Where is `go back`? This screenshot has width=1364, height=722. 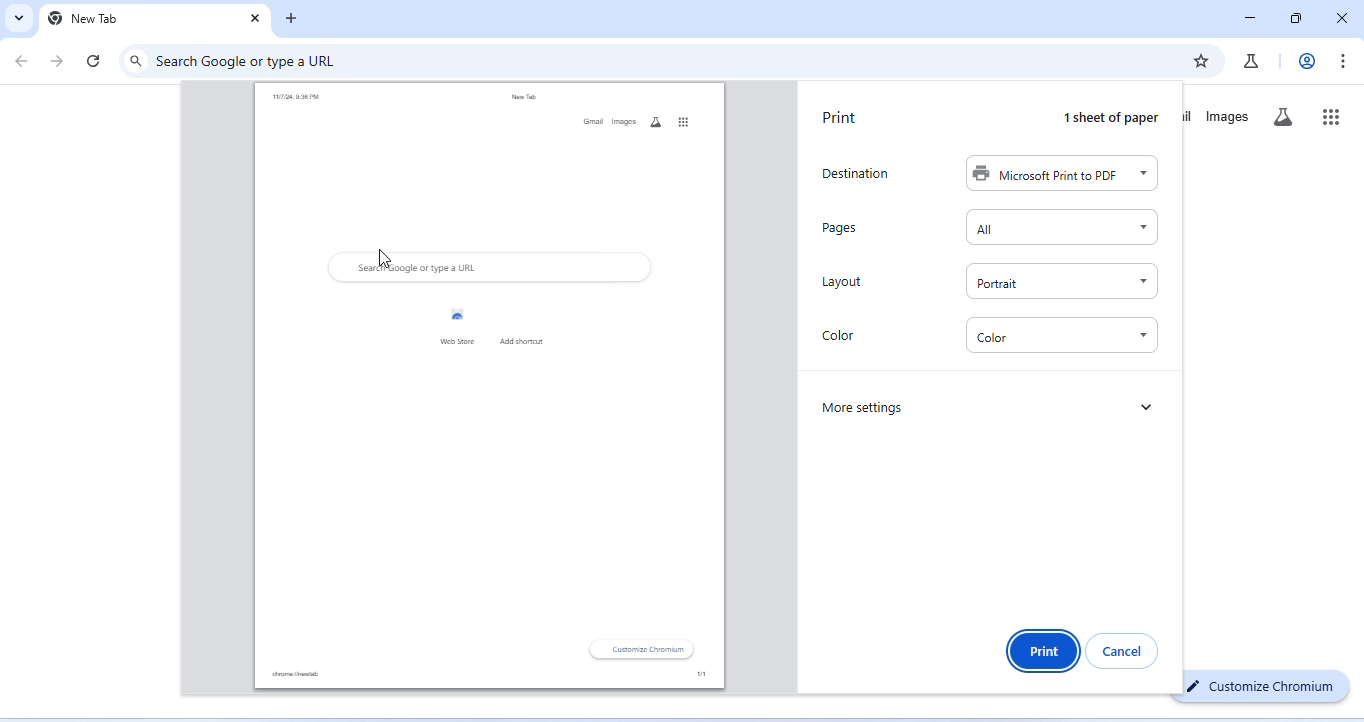
go back is located at coordinates (24, 60).